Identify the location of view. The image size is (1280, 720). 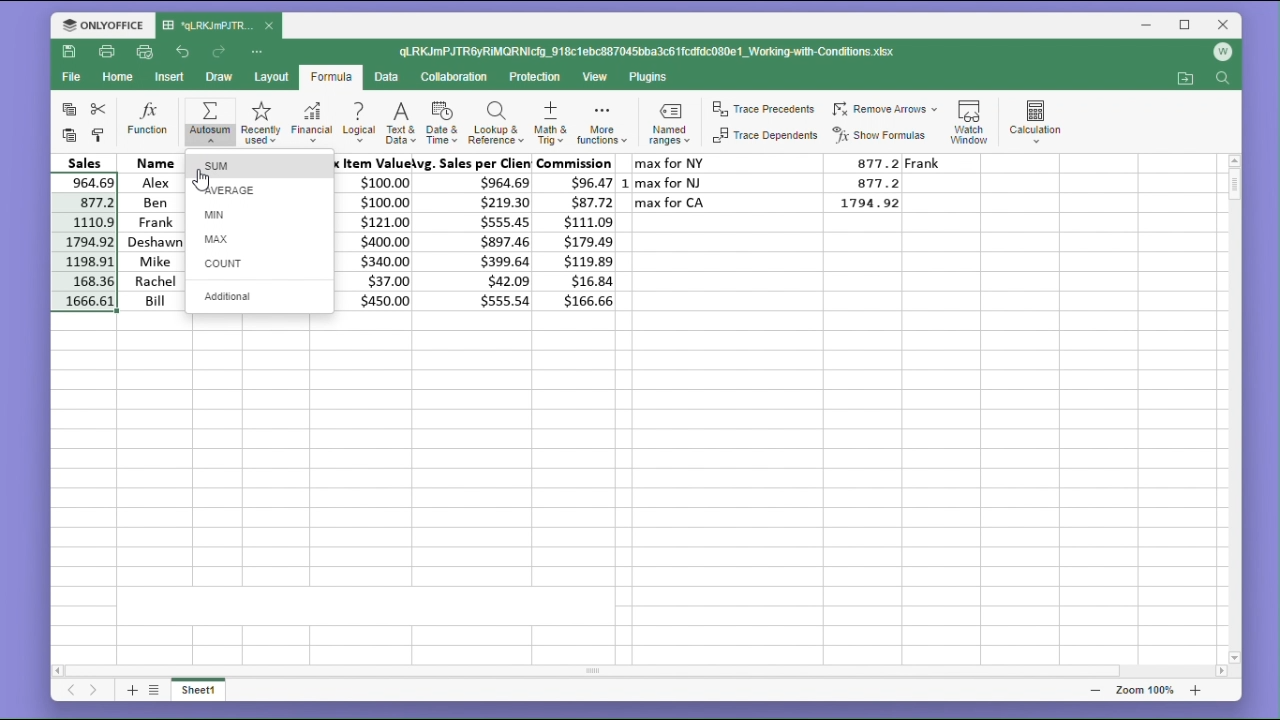
(597, 78).